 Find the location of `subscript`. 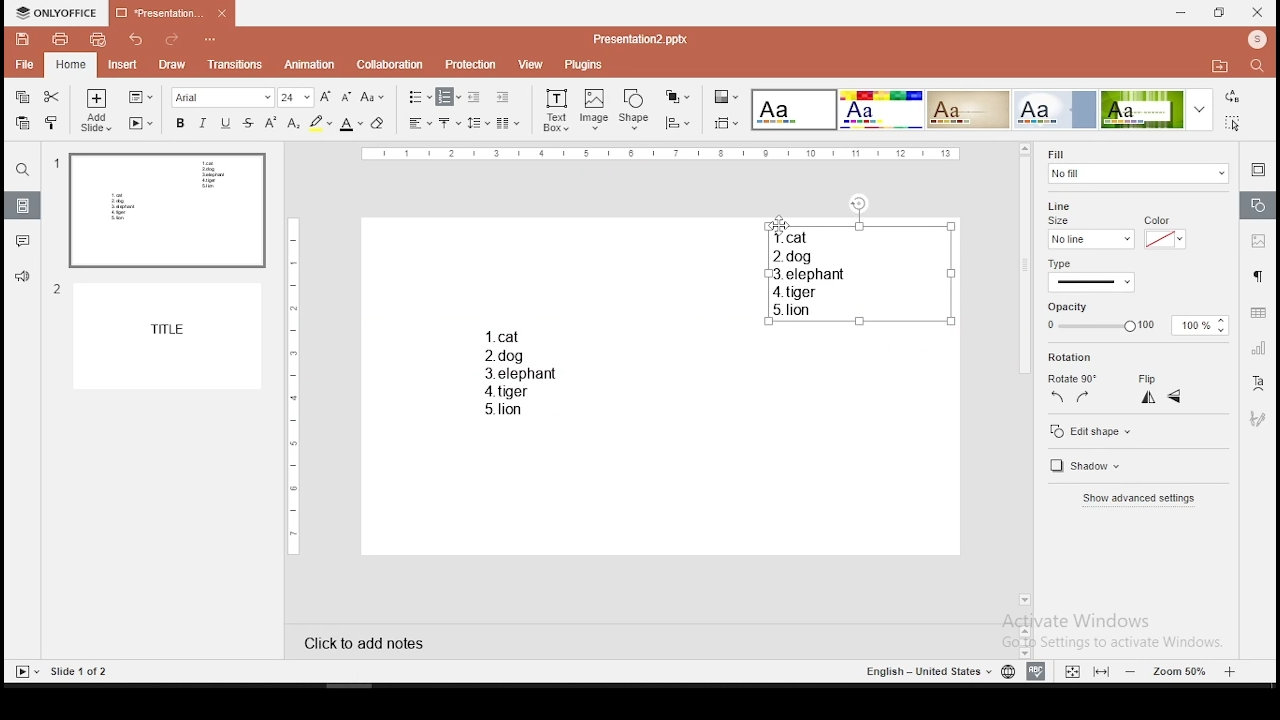

subscript is located at coordinates (293, 123).